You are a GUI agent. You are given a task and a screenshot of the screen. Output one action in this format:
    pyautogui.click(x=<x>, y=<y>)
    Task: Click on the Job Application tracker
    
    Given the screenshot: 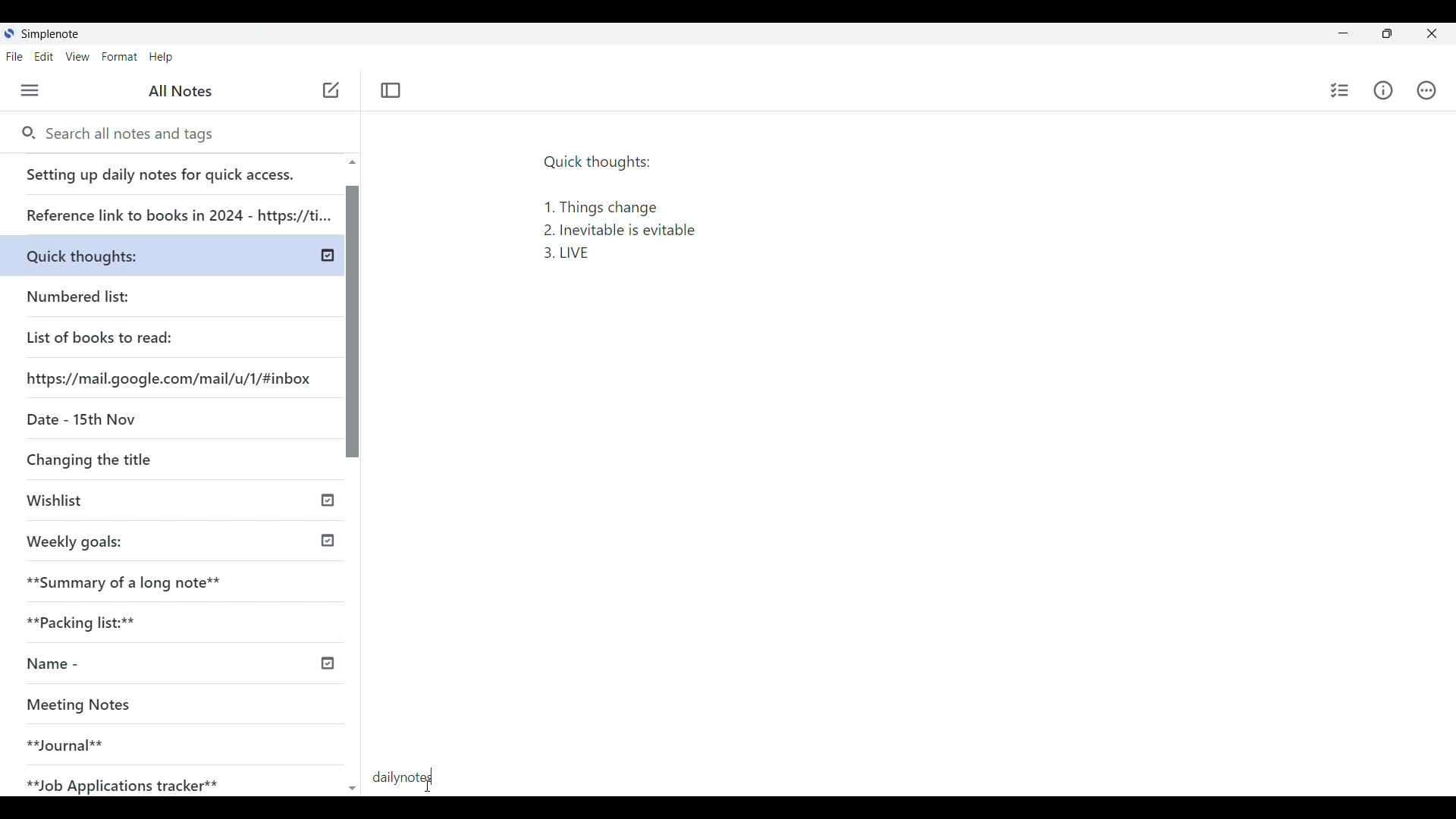 What is the action you would take?
    pyautogui.click(x=130, y=782)
    